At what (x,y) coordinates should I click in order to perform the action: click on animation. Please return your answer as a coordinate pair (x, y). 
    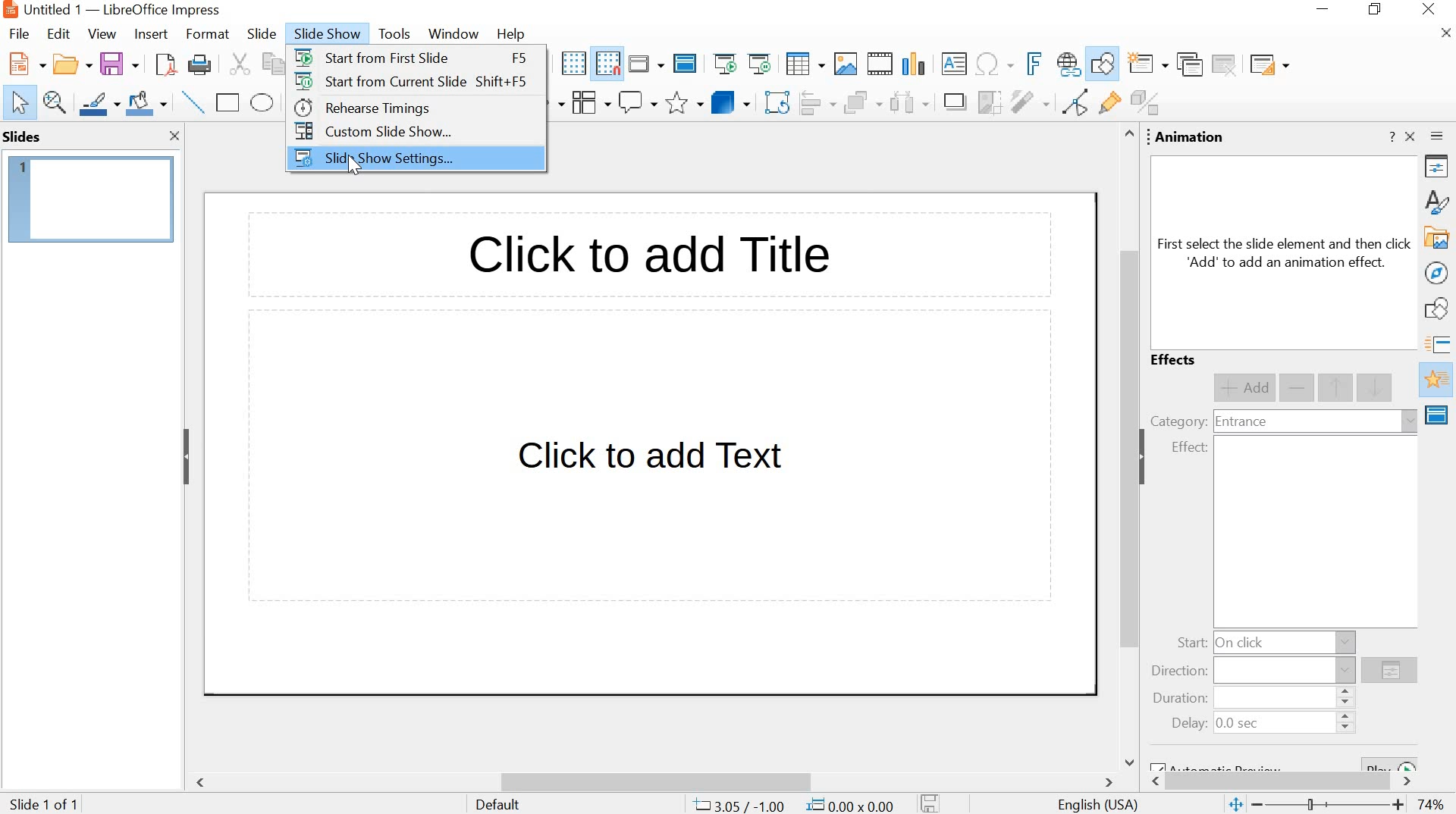
    Looking at the image, I should click on (1438, 380).